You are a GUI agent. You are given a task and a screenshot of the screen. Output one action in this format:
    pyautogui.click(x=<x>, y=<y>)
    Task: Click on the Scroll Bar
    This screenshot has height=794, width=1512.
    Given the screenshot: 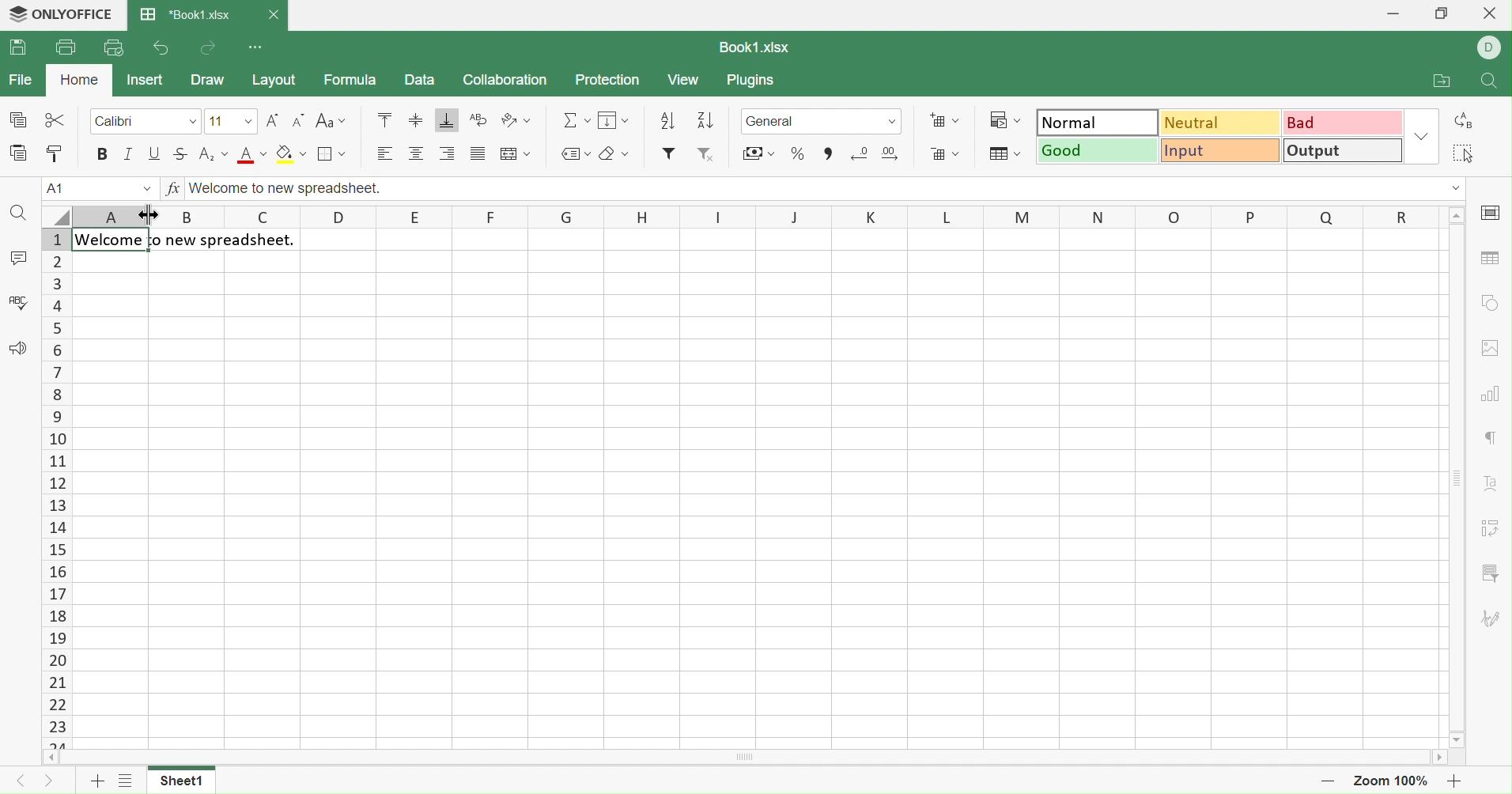 What is the action you would take?
    pyautogui.click(x=749, y=758)
    